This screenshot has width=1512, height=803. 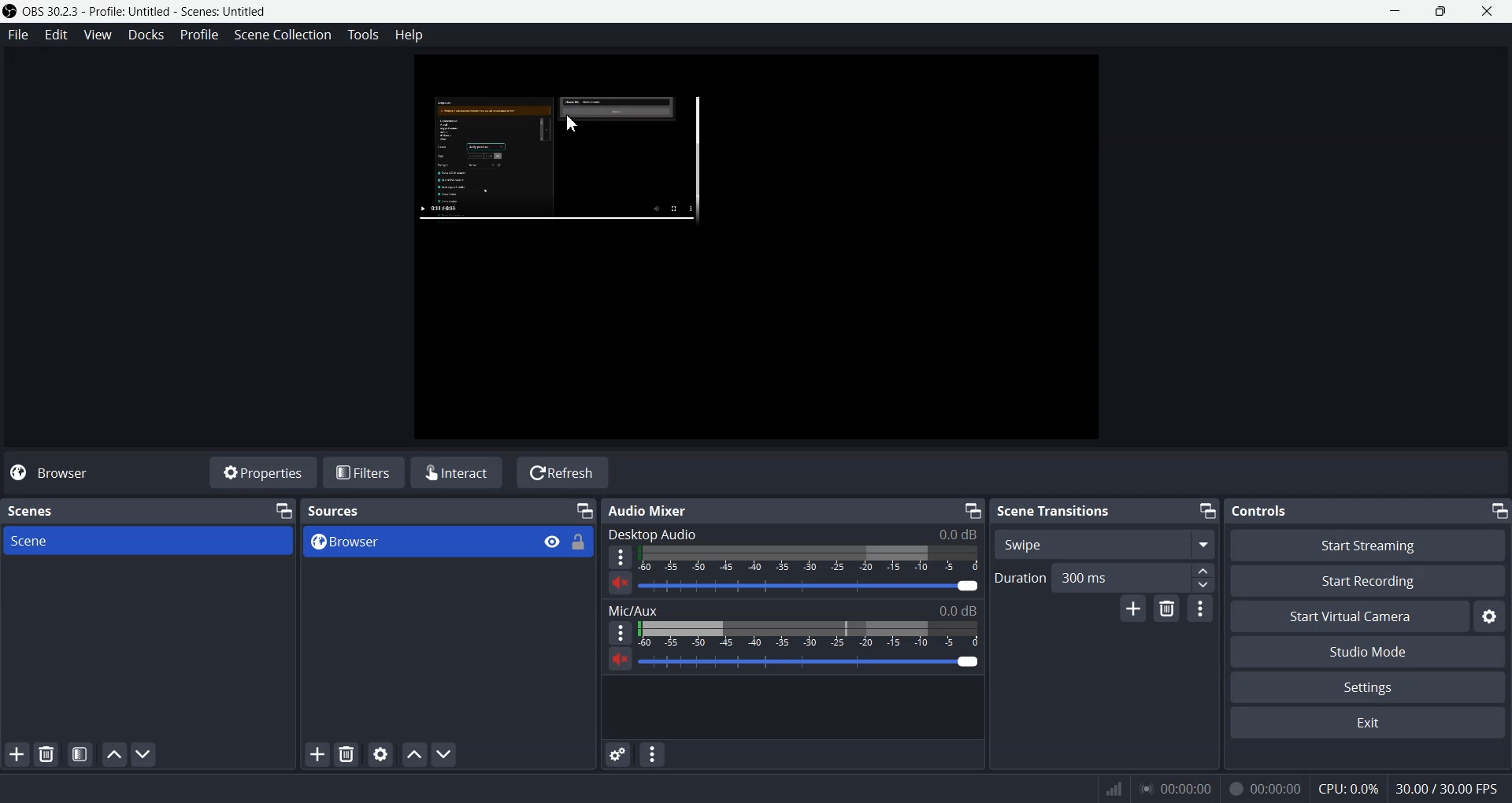 What do you see at coordinates (138, 12) in the screenshot?
I see `OBS 30.2.3 - Profile: Untitled - Scenes: Untitled` at bounding box center [138, 12].